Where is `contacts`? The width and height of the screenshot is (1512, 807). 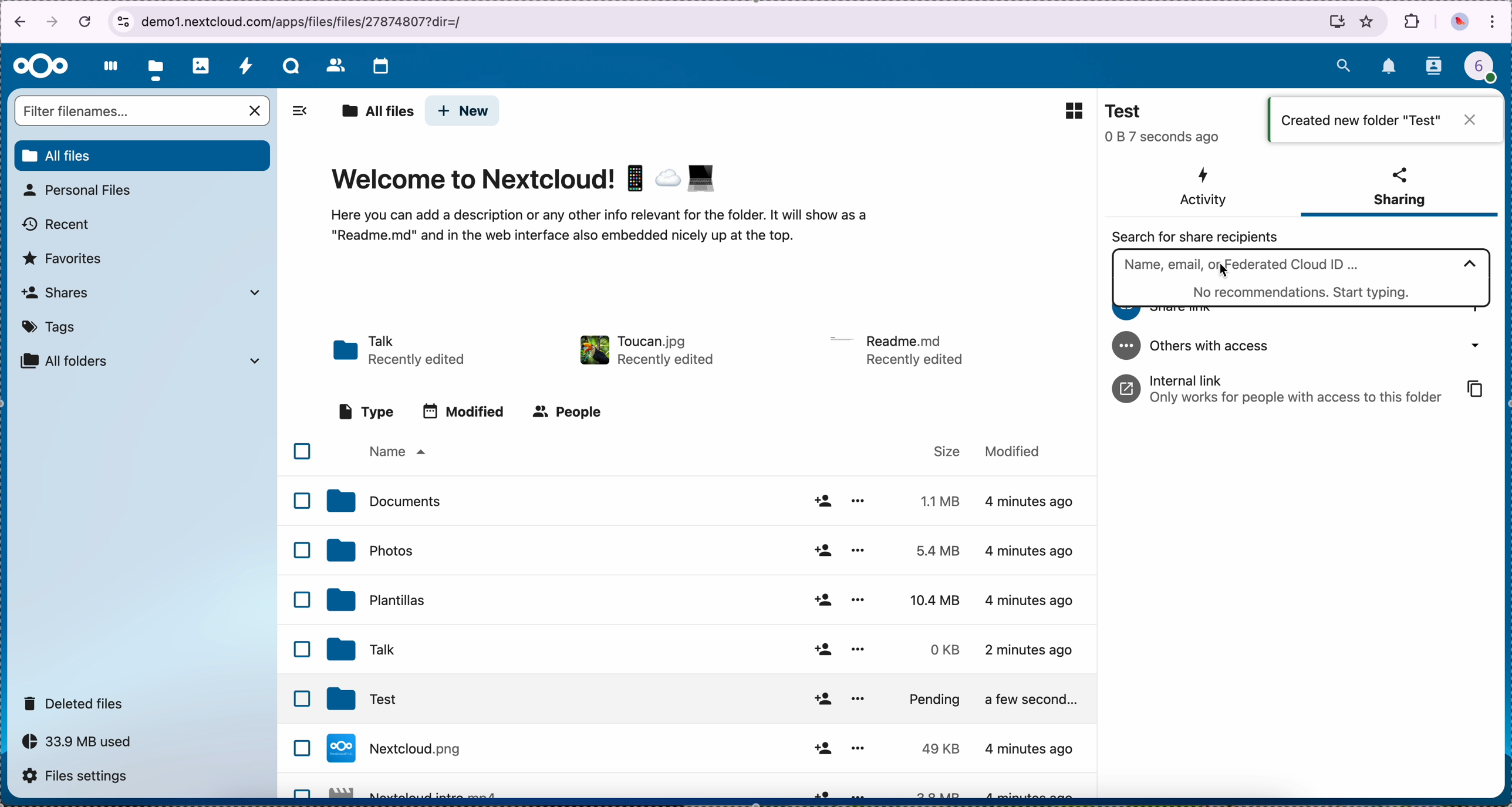 contacts is located at coordinates (335, 65).